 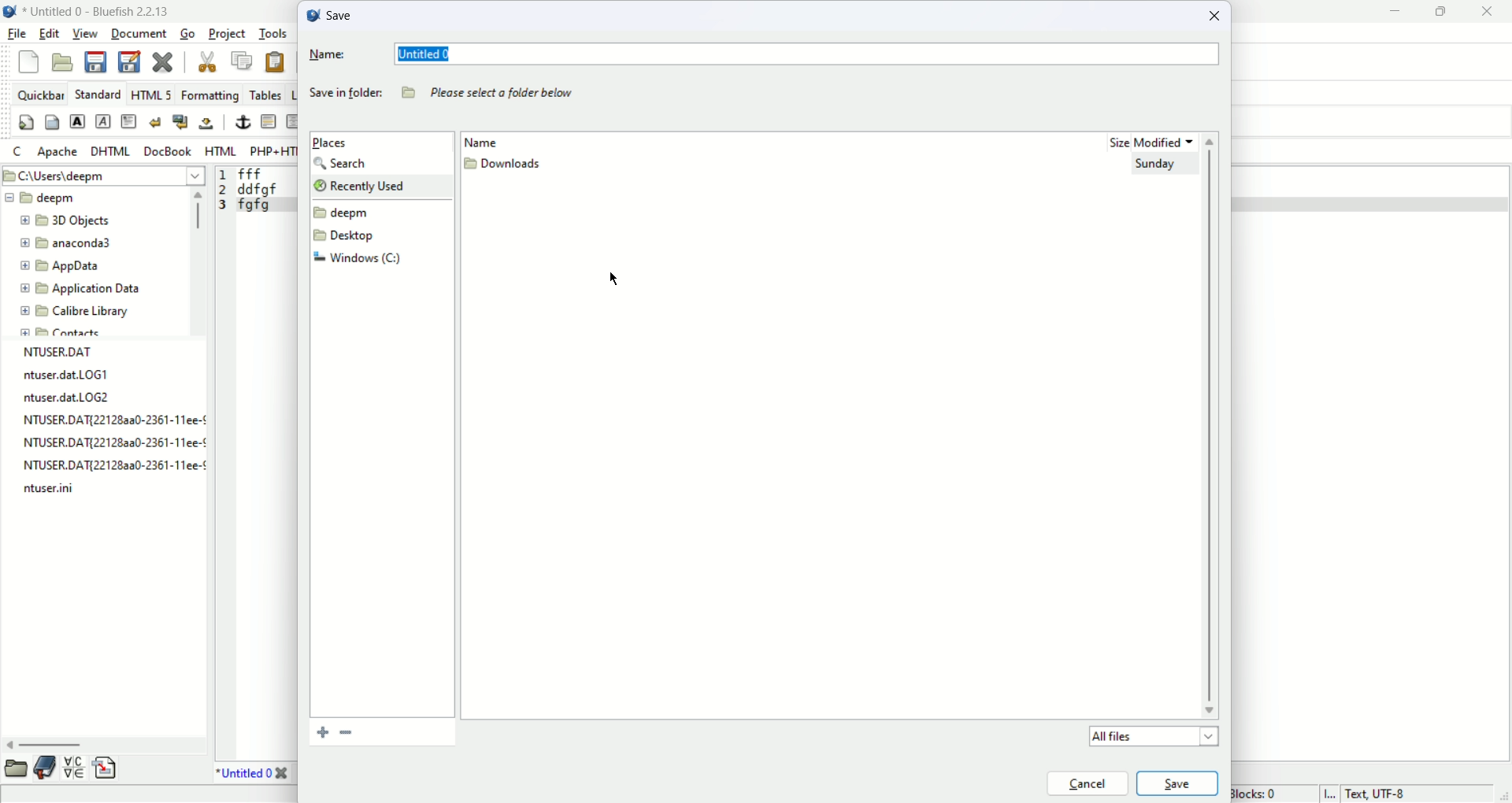 What do you see at coordinates (1392, 12) in the screenshot?
I see `minimize` at bounding box center [1392, 12].